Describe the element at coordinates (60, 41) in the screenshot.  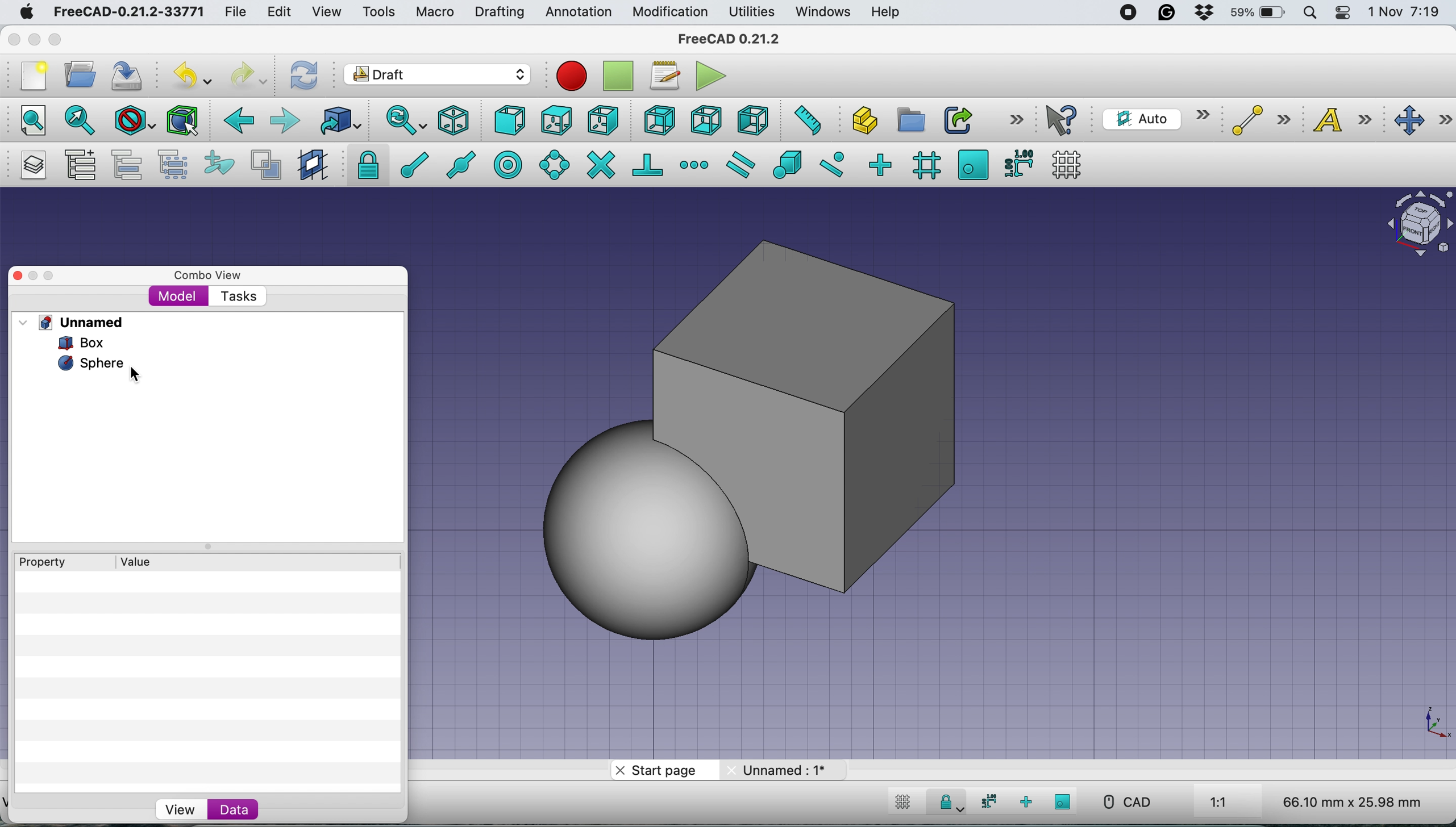
I see `maximise` at that location.